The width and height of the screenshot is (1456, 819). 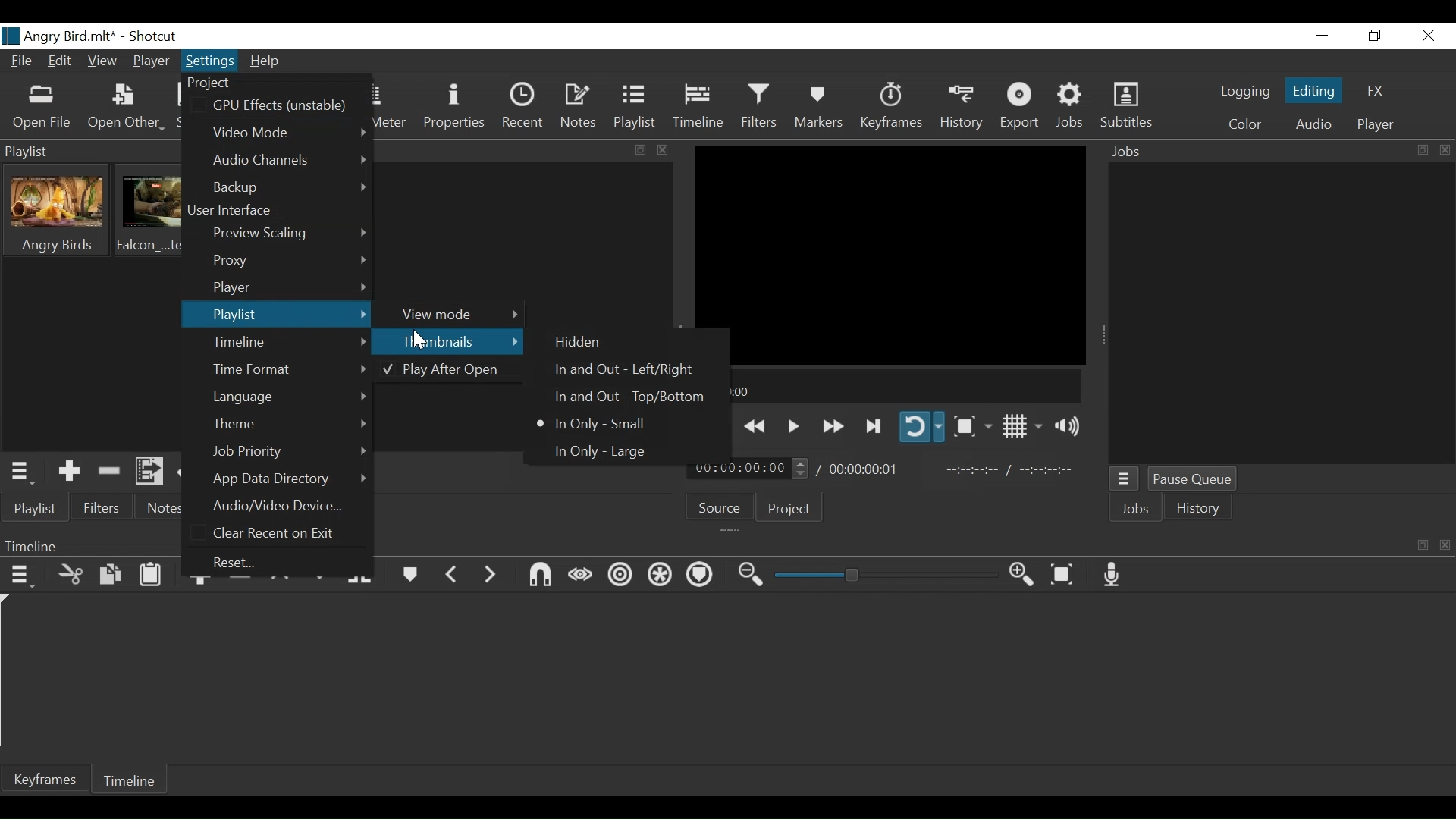 What do you see at coordinates (452, 578) in the screenshot?
I see `Previous marker` at bounding box center [452, 578].